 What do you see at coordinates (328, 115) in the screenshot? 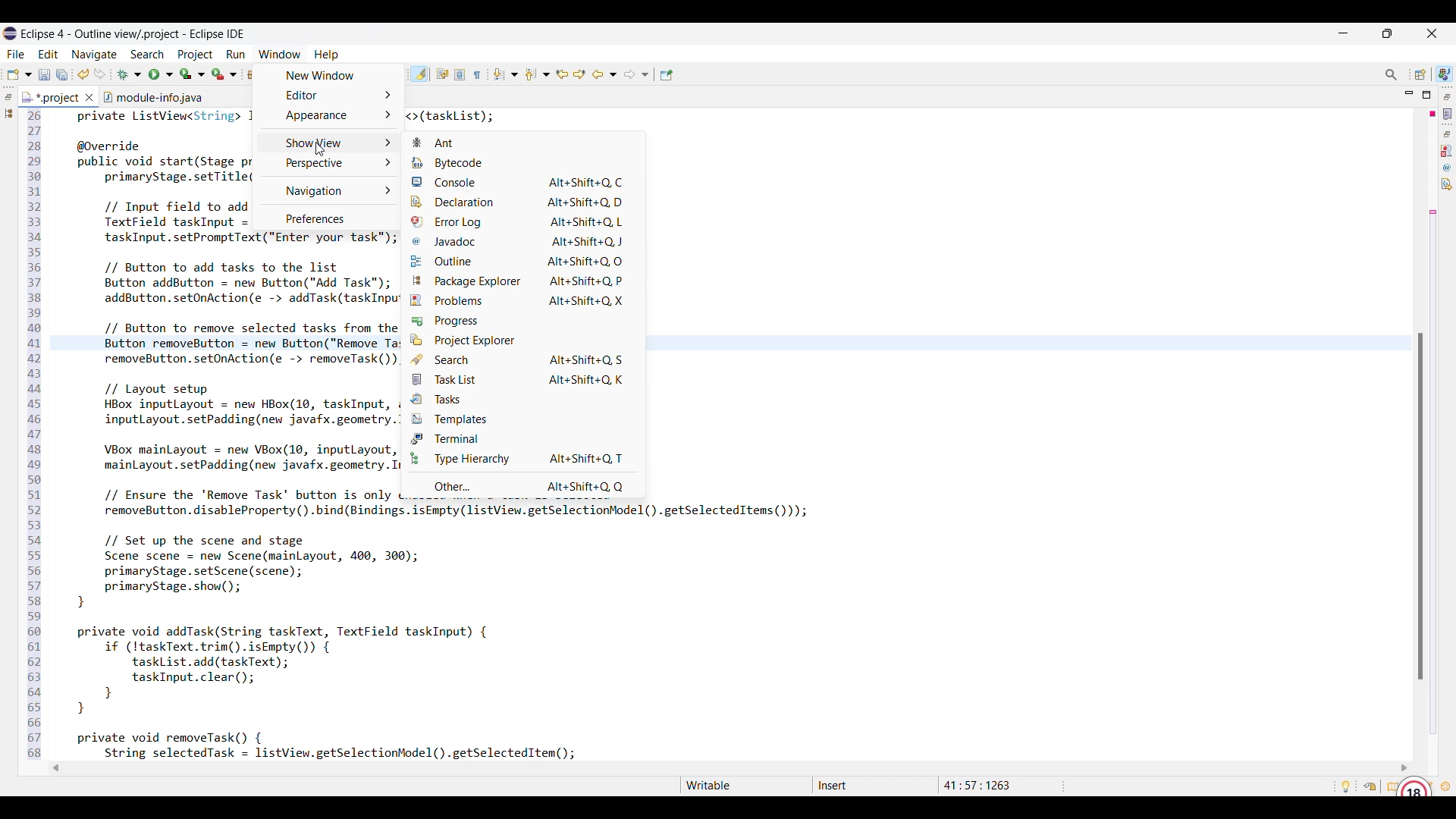
I see `Appearance options` at bounding box center [328, 115].